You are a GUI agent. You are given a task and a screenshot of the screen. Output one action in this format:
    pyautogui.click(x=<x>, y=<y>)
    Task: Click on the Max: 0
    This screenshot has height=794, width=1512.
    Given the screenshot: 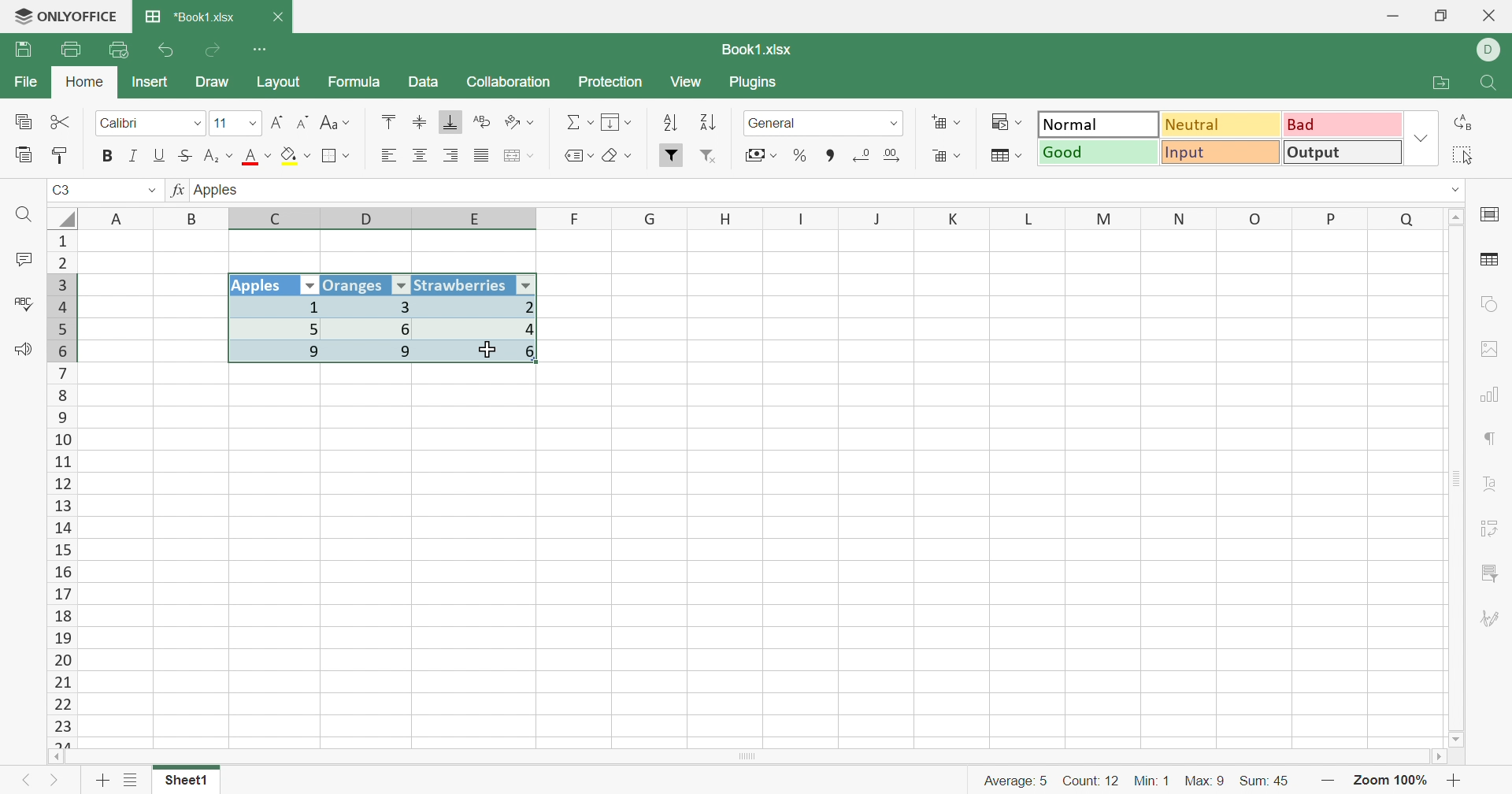 What is the action you would take?
    pyautogui.click(x=1206, y=777)
    